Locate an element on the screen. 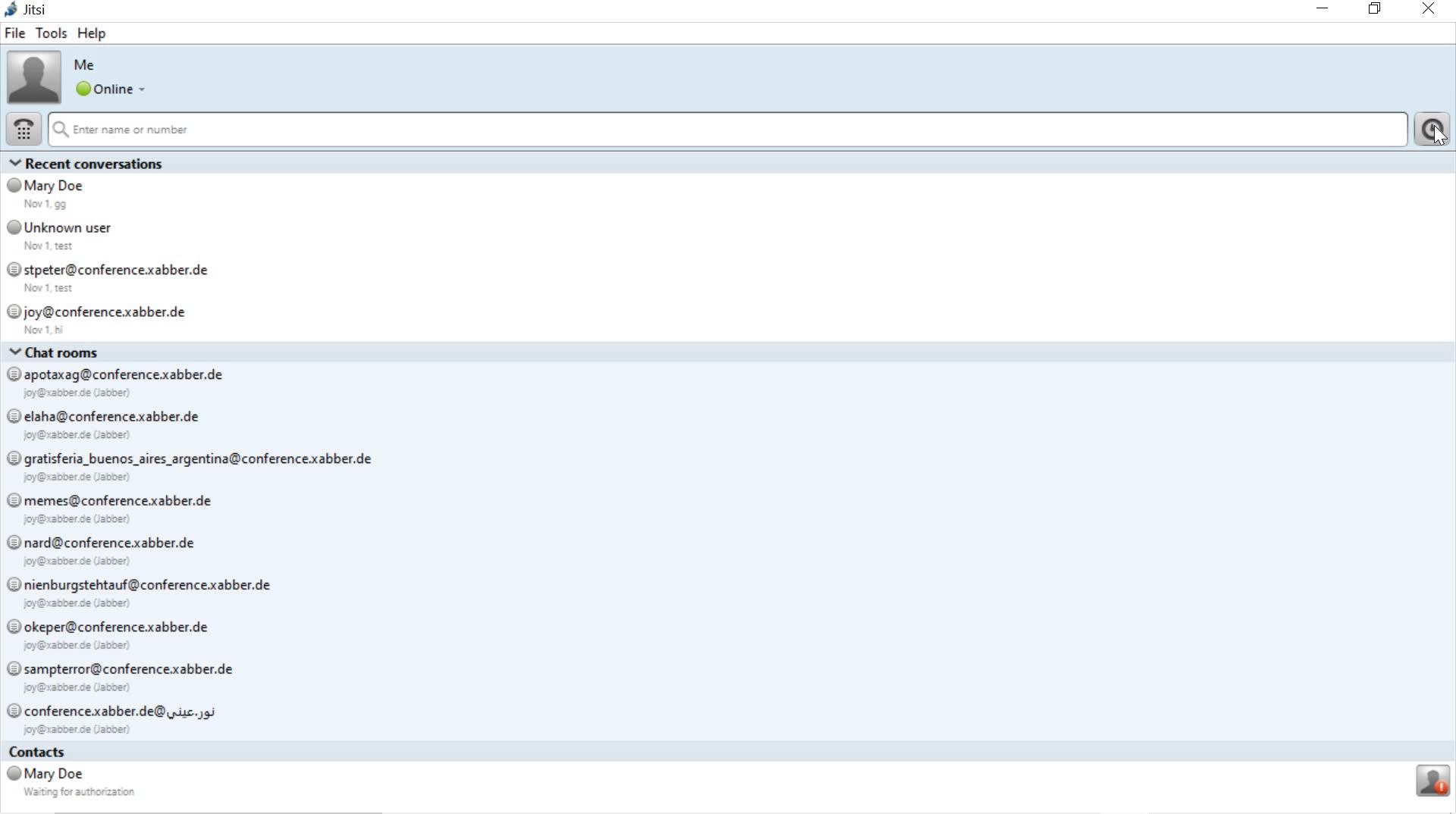  file is located at coordinates (17, 33).